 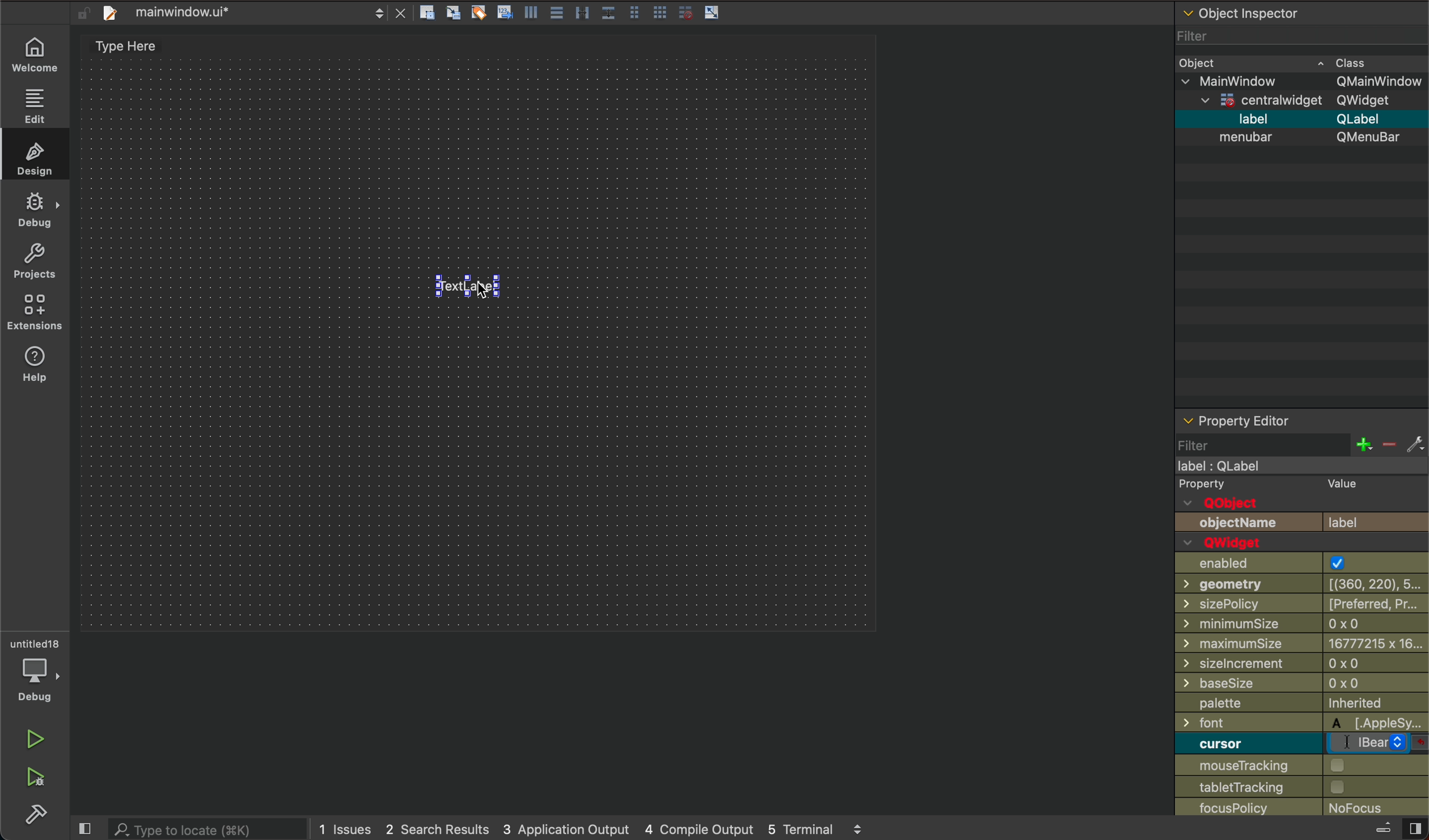 I want to click on label : Qlabel, so click(x=1220, y=467).